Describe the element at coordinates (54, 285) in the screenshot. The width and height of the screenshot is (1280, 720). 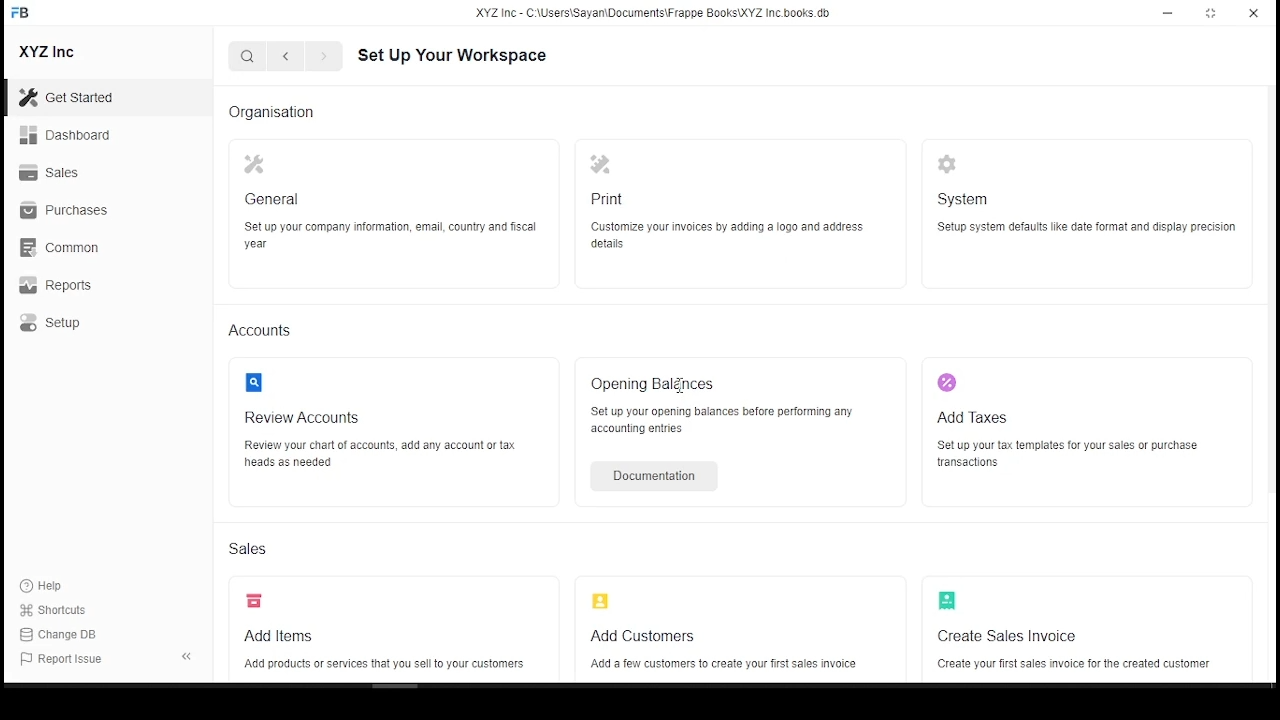
I see `Reports` at that location.